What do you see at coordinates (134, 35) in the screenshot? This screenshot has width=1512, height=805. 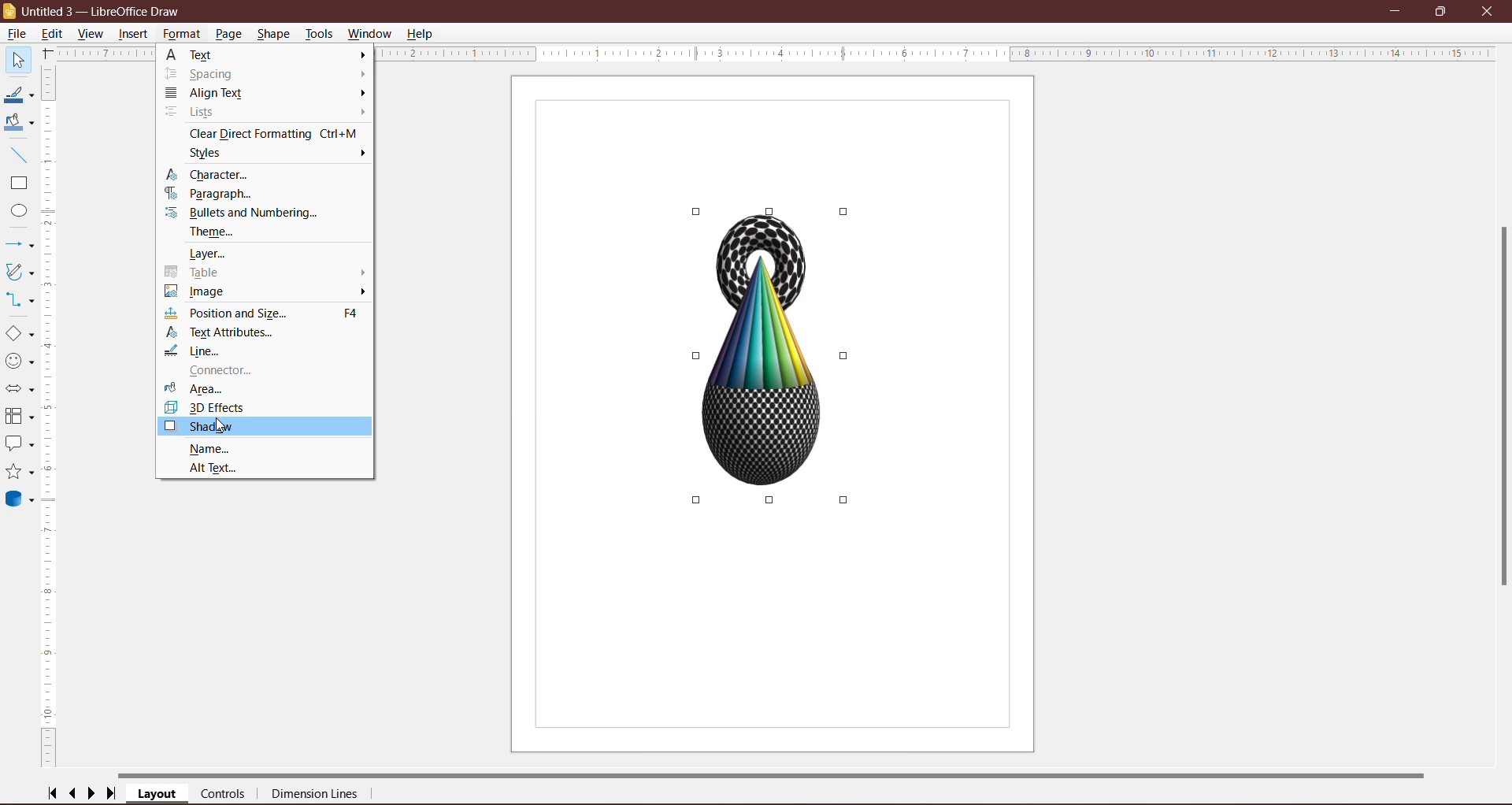 I see `Insert` at bounding box center [134, 35].